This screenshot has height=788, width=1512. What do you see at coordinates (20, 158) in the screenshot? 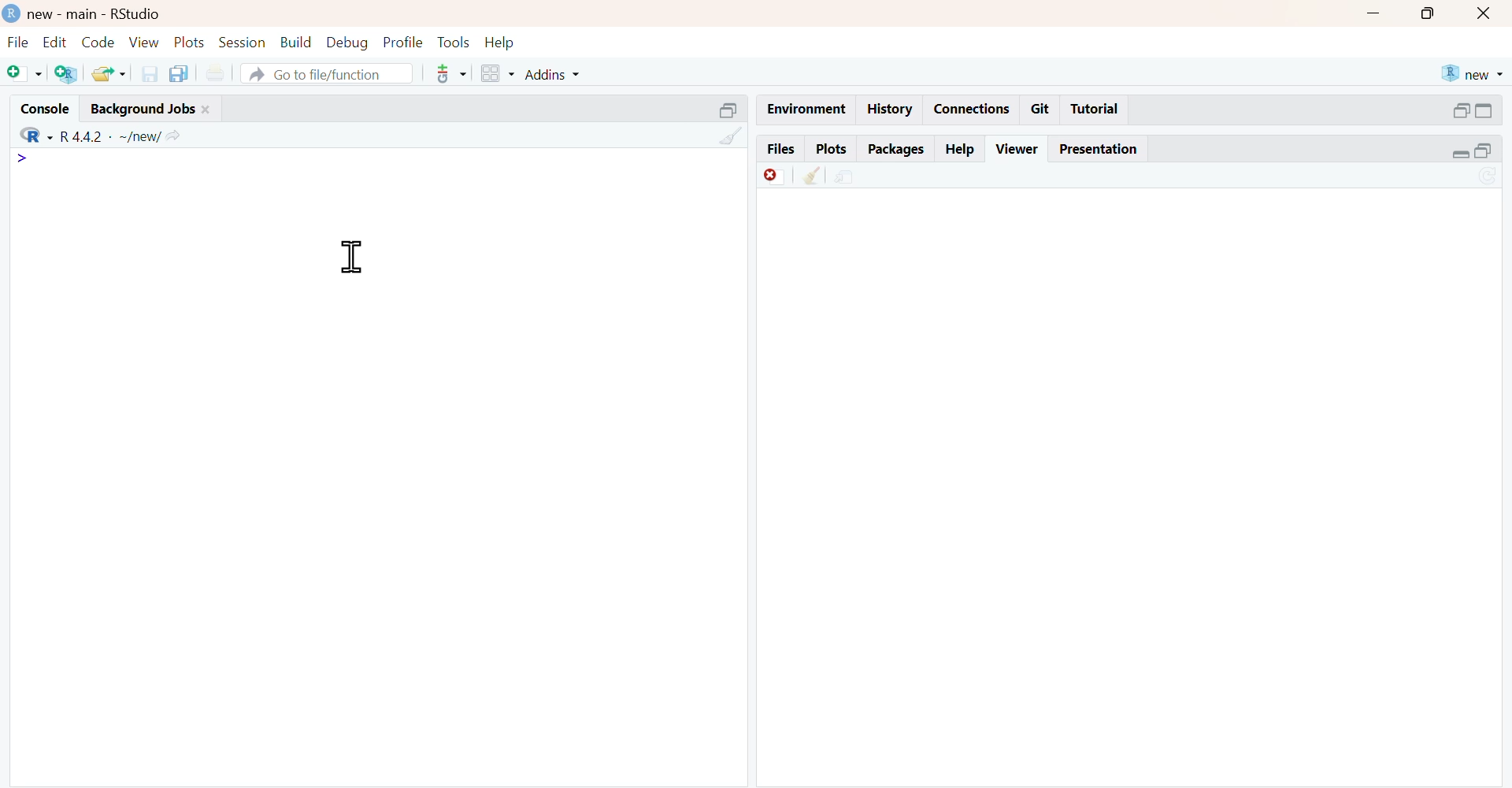
I see `>` at bounding box center [20, 158].